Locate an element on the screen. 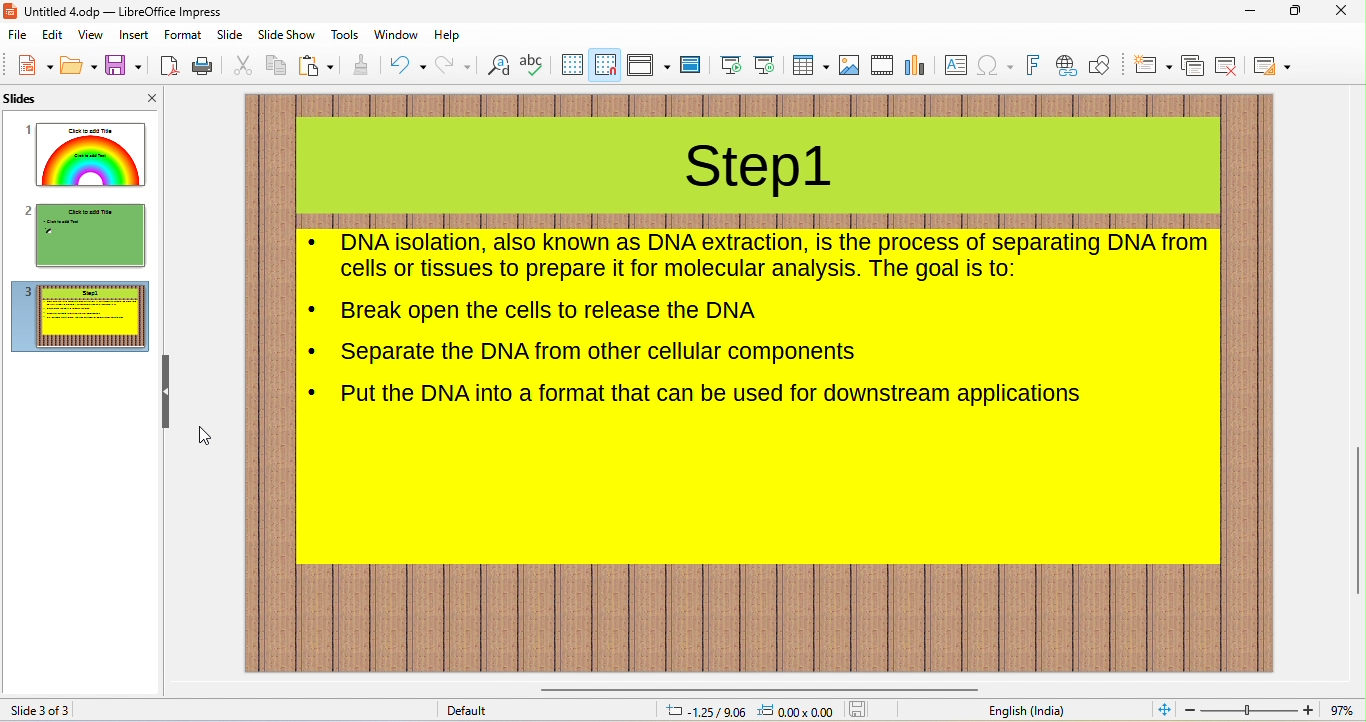 The width and height of the screenshot is (1366, 722). zoom is located at coordinates (1249, 710).